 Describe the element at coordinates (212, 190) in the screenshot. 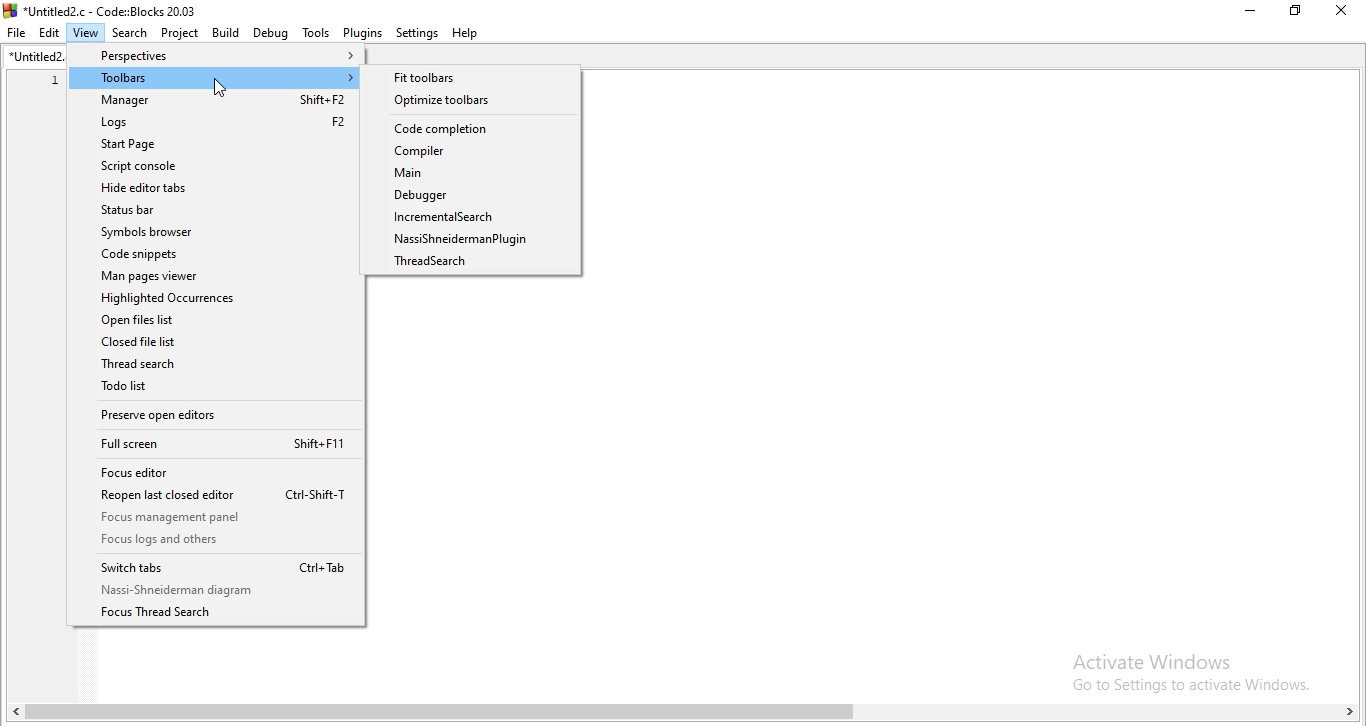

I see `Hide editor tabs` at that location.